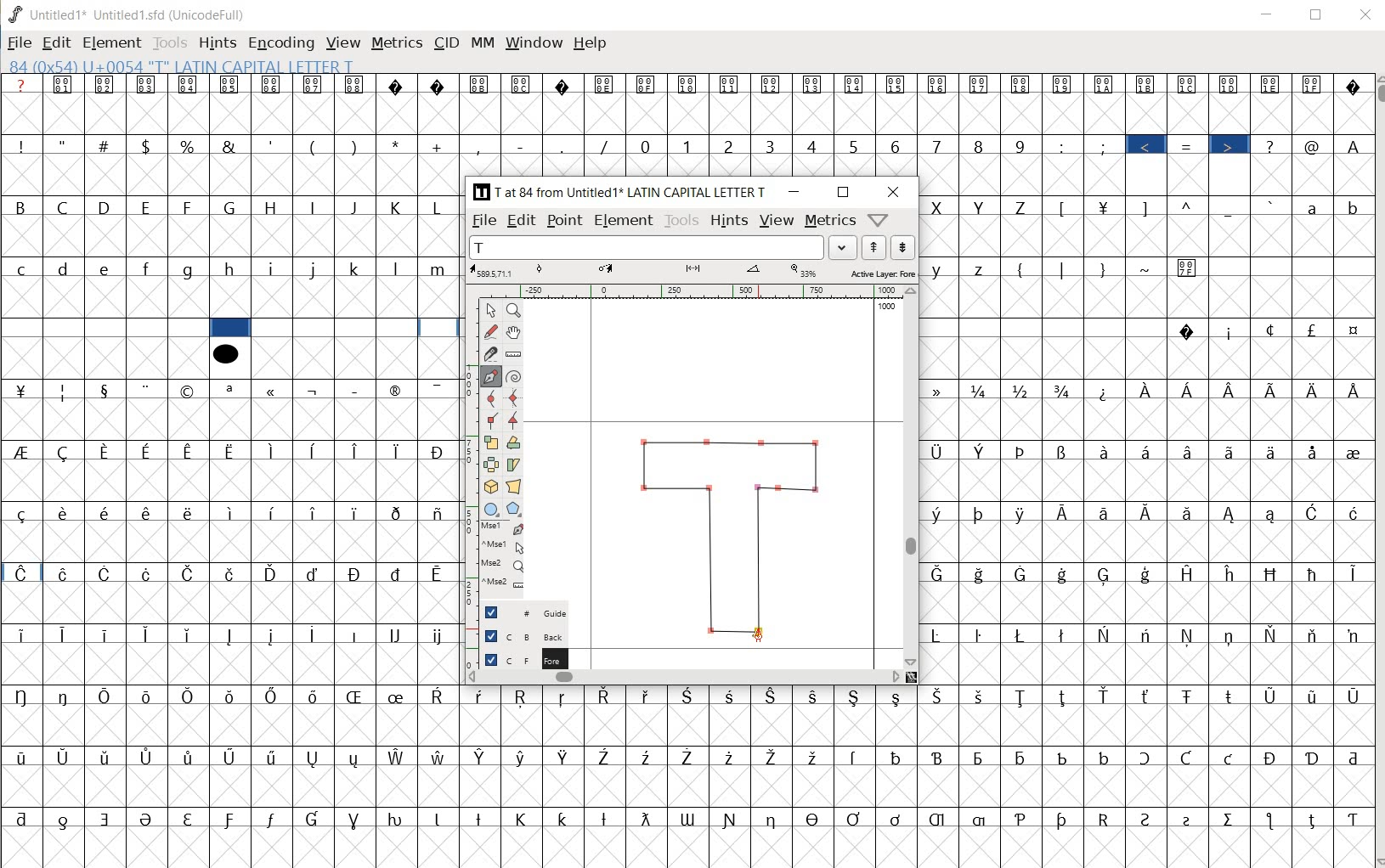 The height and width of the screenshot is (868, 1385). I want to click on Symbol, so click(565, 84).